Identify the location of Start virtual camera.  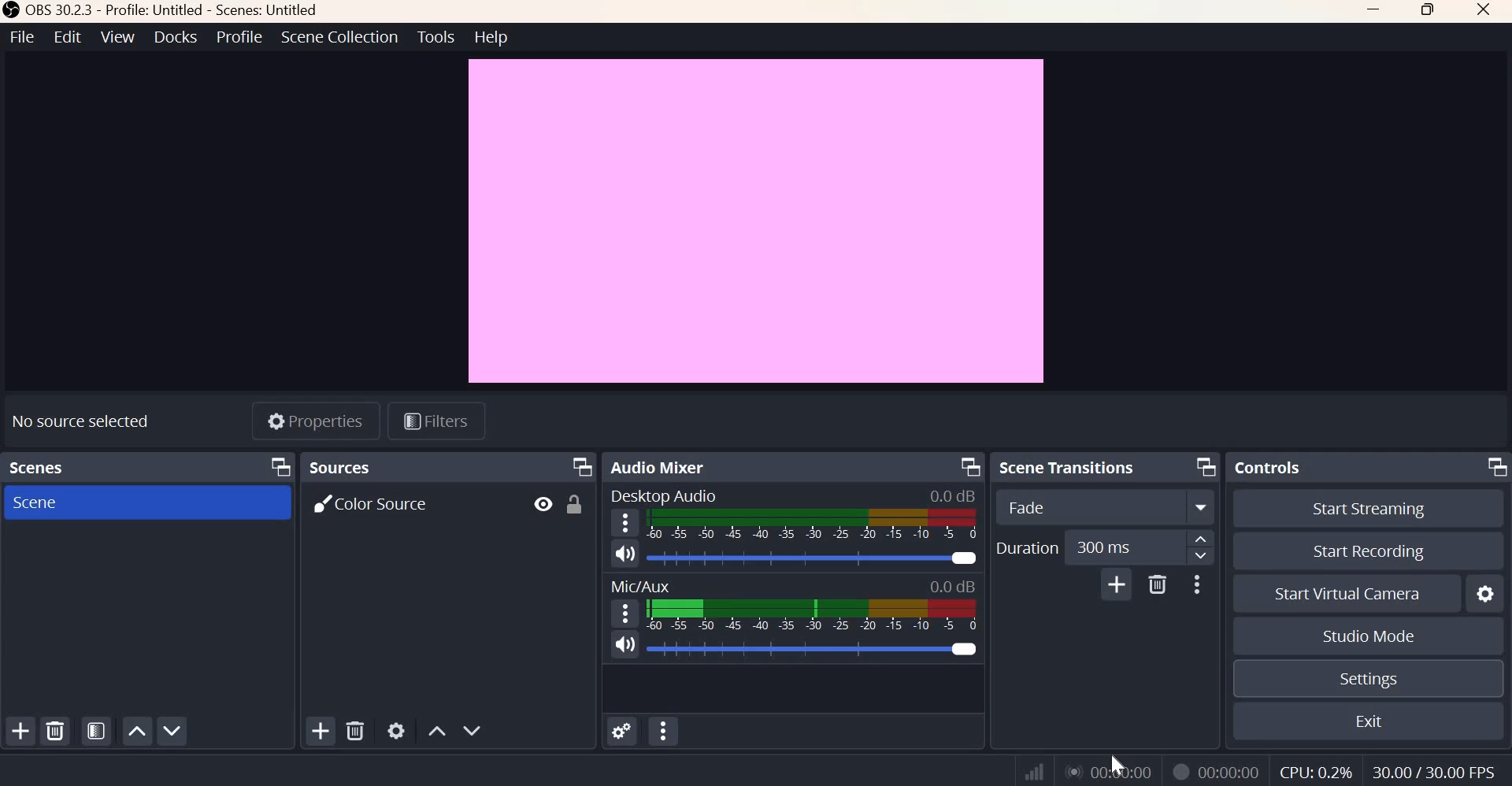
(1350, 591).